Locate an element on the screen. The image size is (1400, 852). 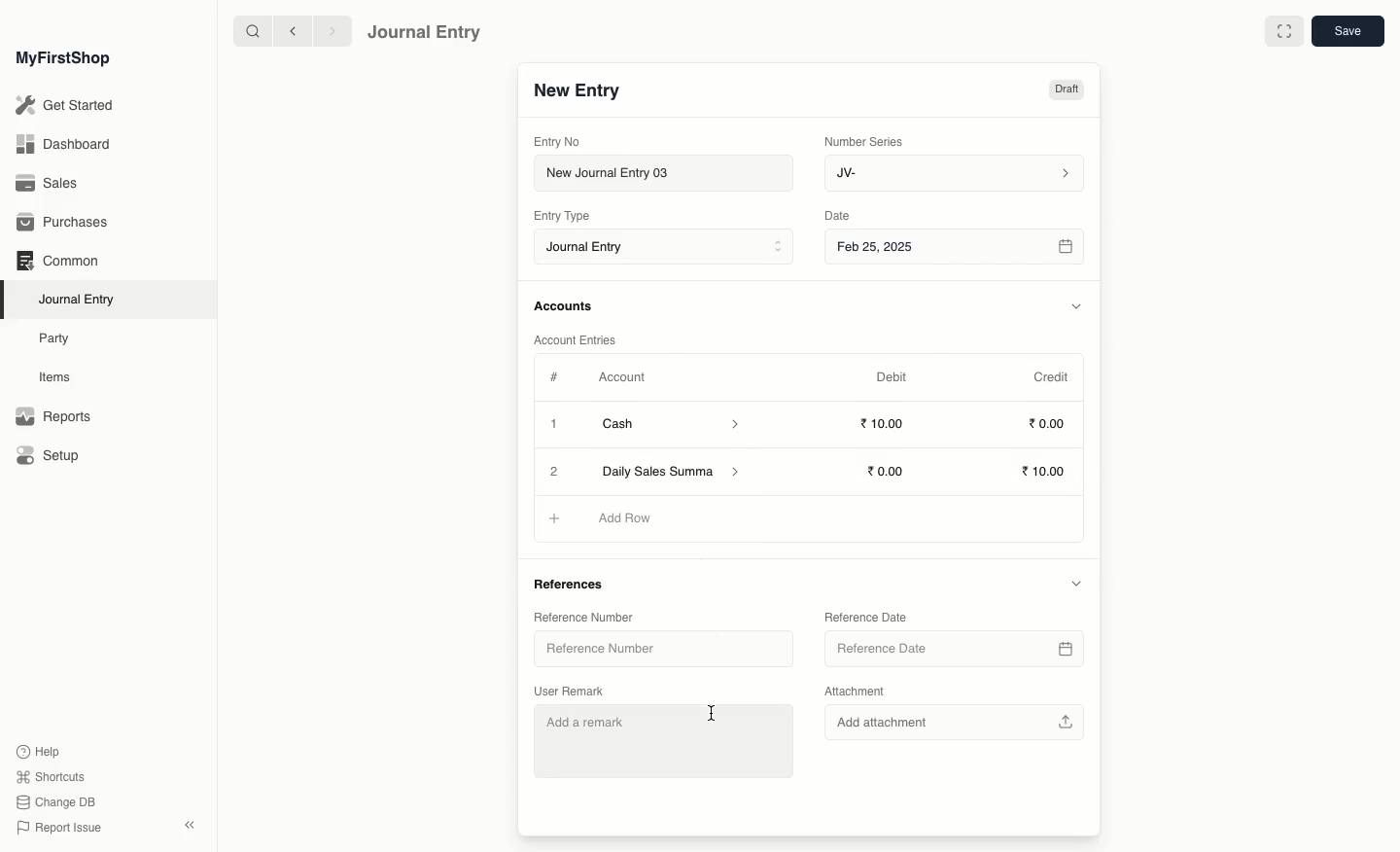
Add a remark is located at coordinates (667, 738).